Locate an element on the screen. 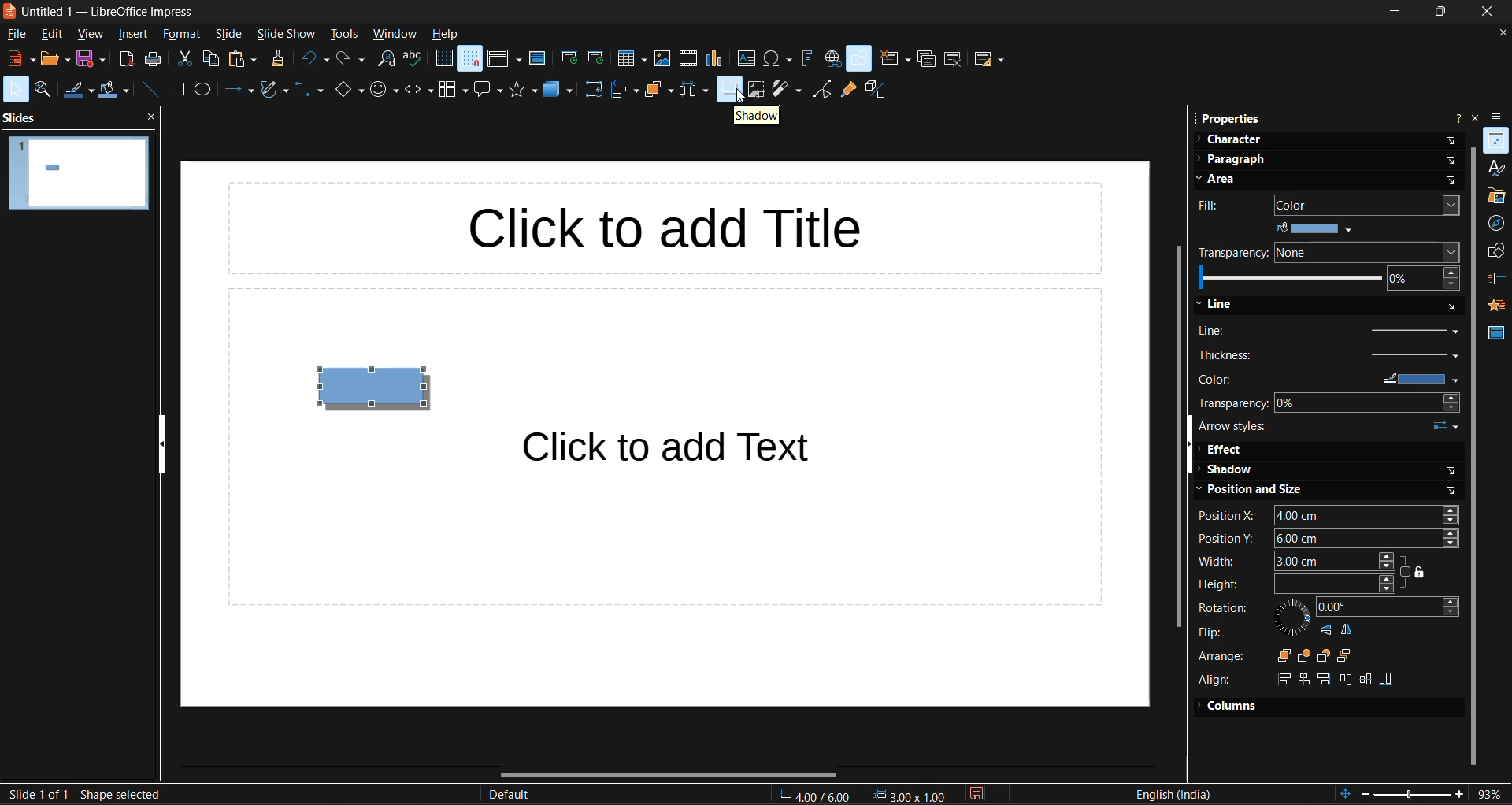  send to back is located at coordinates (1352, 653).